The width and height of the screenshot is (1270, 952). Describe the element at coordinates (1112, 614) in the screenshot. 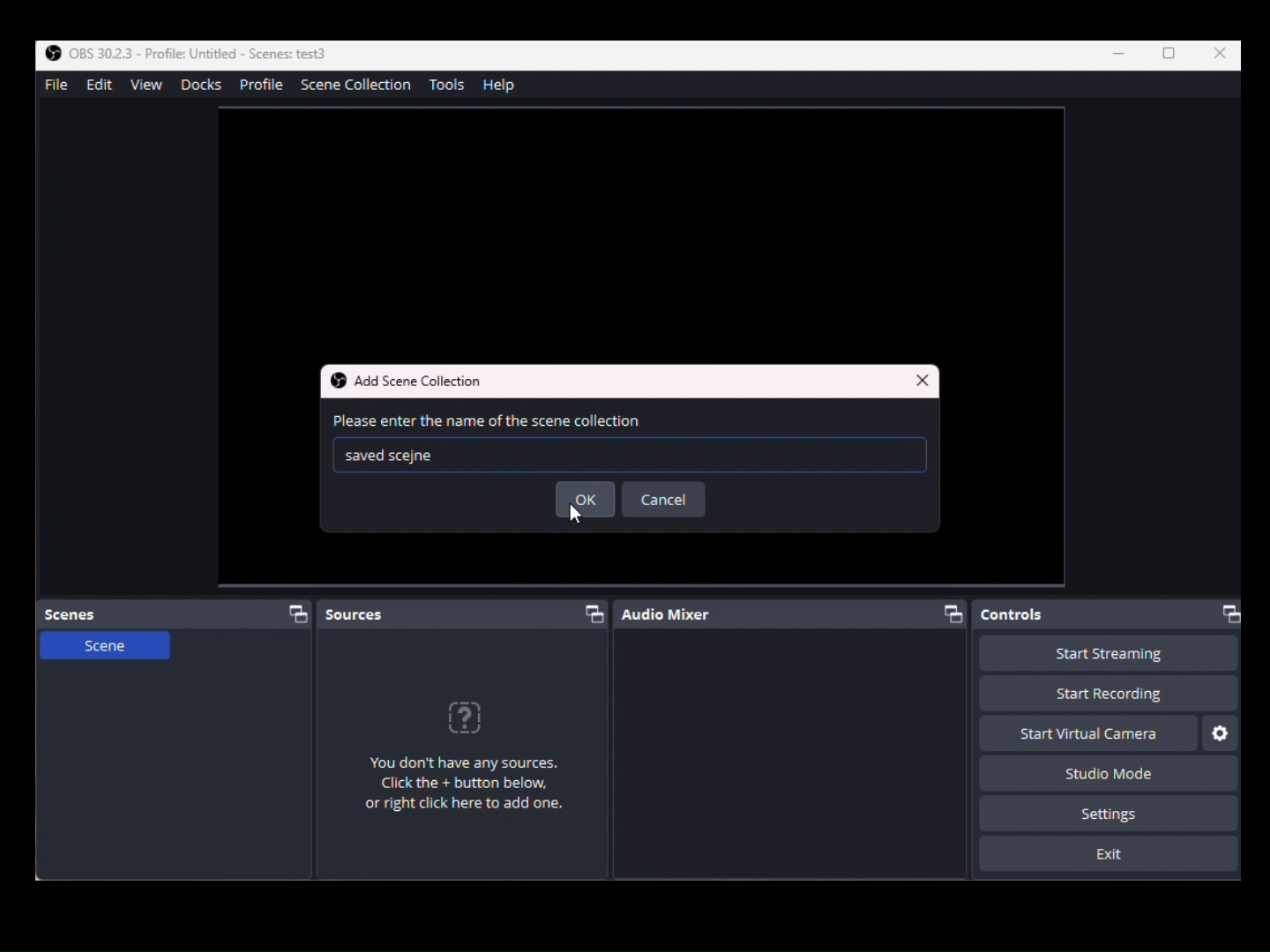

I see `Controls` at that location.